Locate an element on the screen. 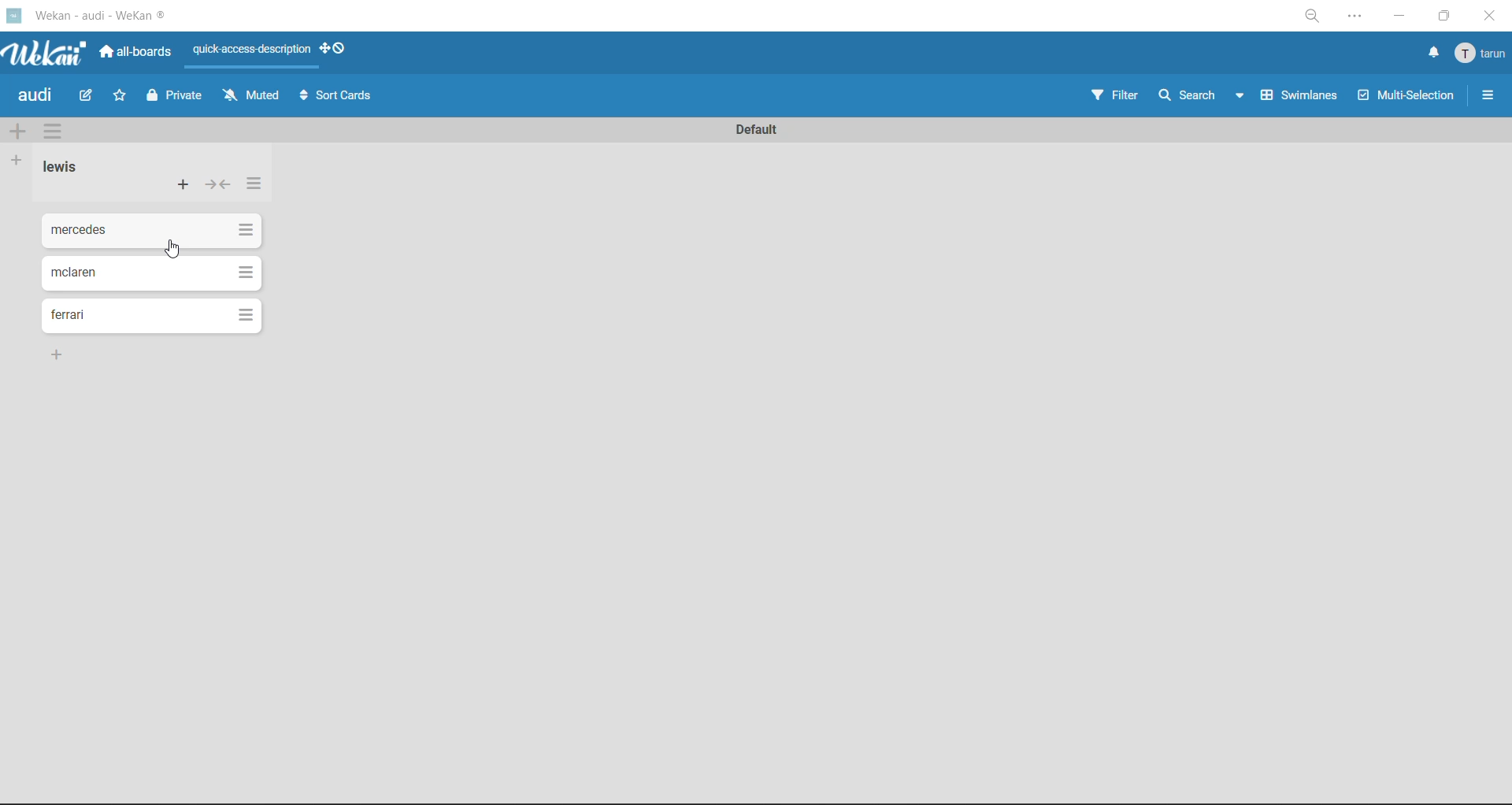 The width and height of the screenshot is (1512, 805). minimize is located at coordinates (1399, 19).